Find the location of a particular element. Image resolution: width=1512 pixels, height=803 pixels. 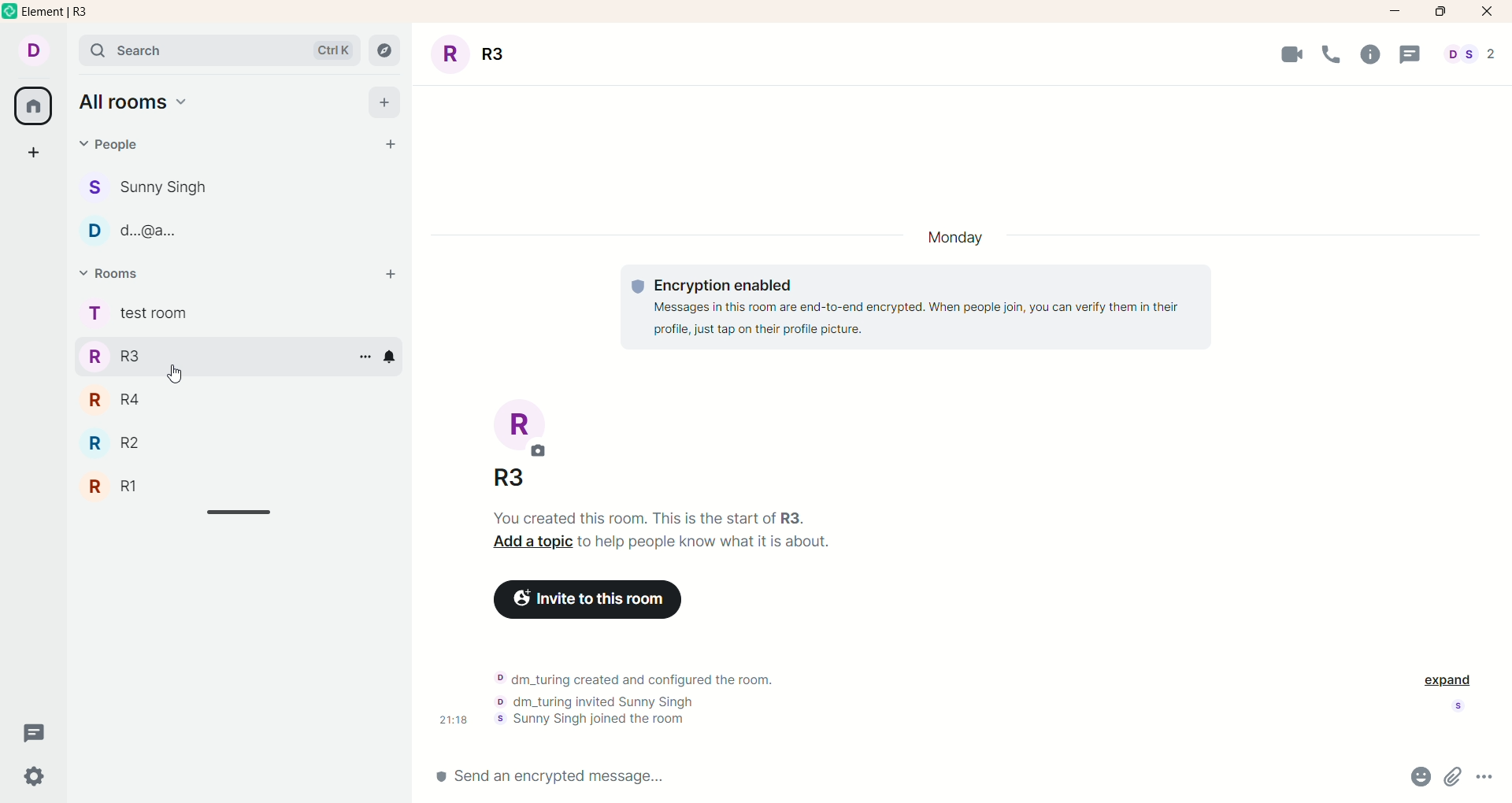

close is located at coordinates (1489, 12).